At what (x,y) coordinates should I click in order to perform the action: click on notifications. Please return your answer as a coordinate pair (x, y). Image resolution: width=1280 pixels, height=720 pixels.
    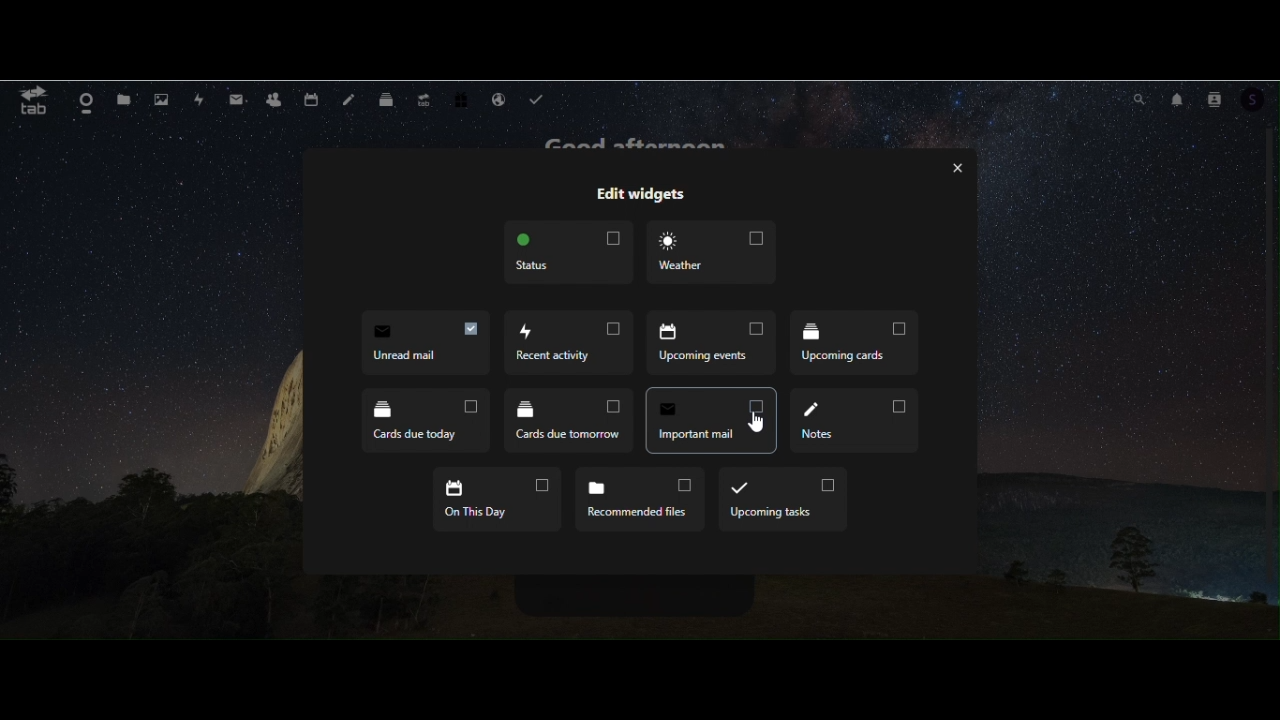
    Looking at the image, I should click on (1176, 97).